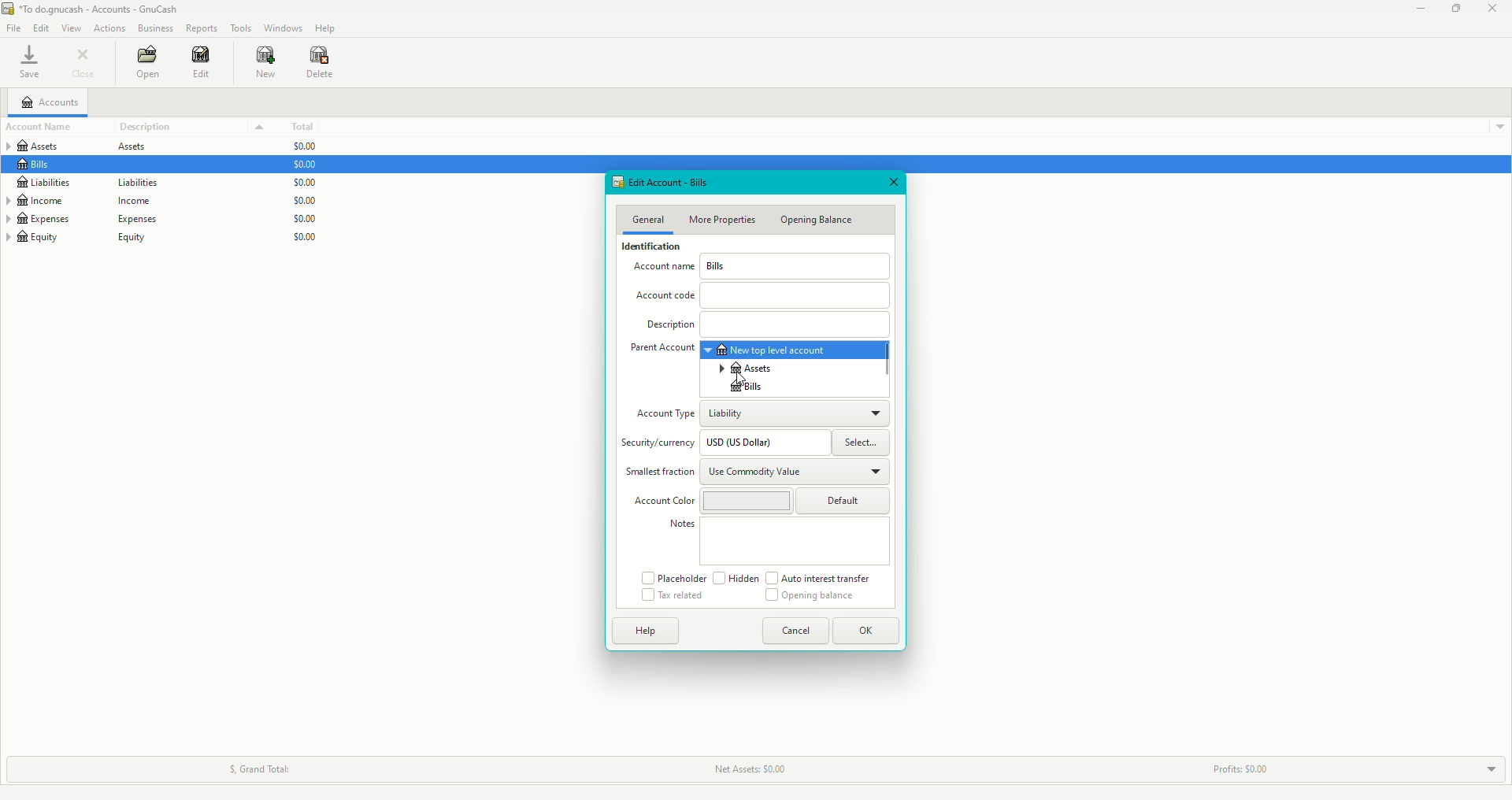  What do you see at coordinates (673, 595) in the screenshot?
I see `Tax related` at bounding box center [673, 595].